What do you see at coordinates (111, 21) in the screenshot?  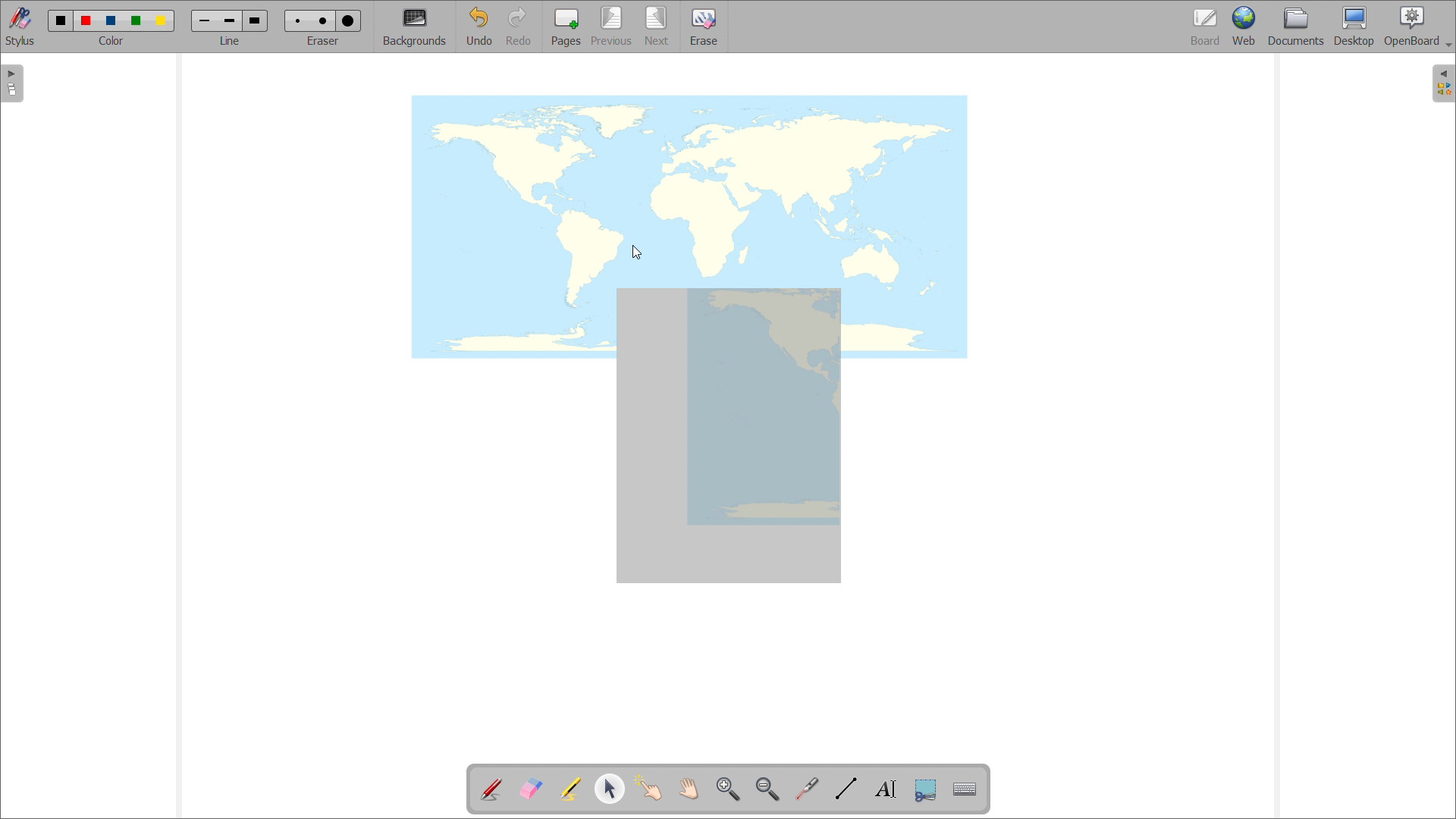 I see `blue` at bounding box center [111, 21].